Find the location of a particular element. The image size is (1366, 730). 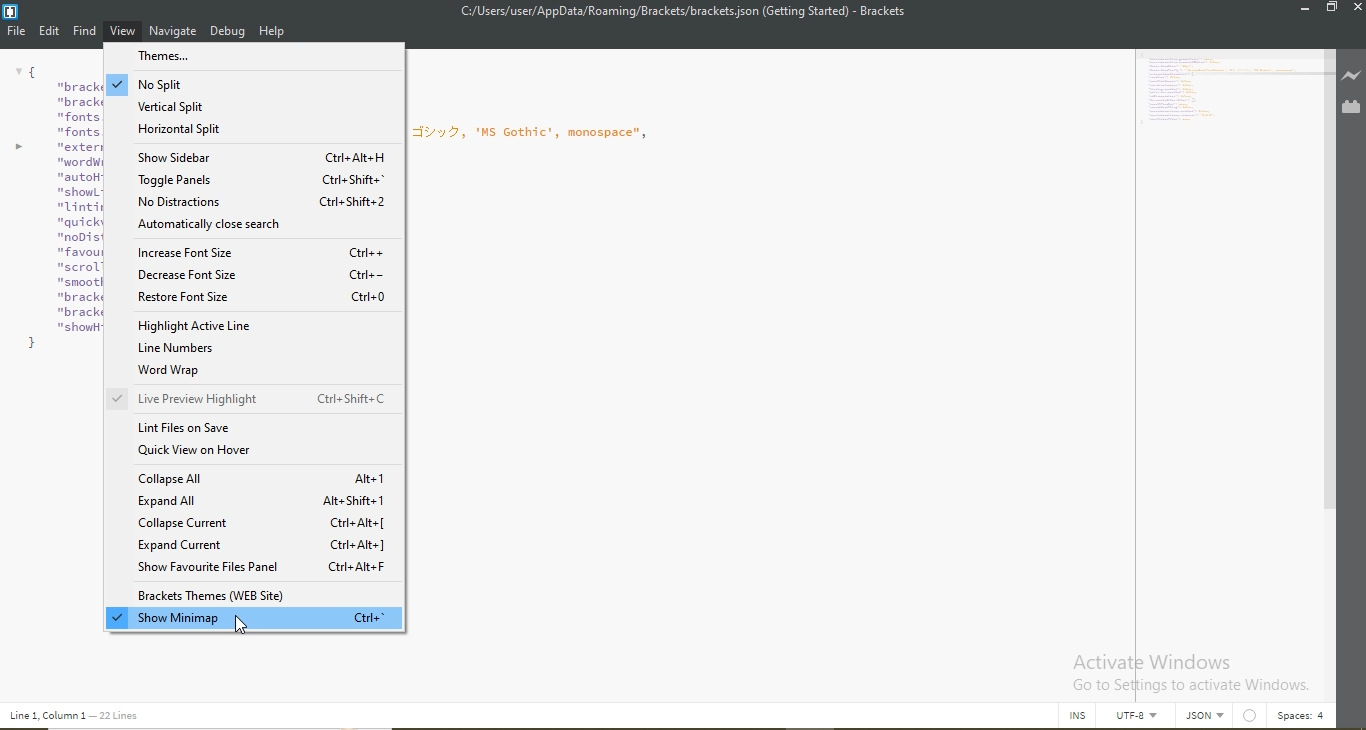

json is located at coordinates (1208, 716).